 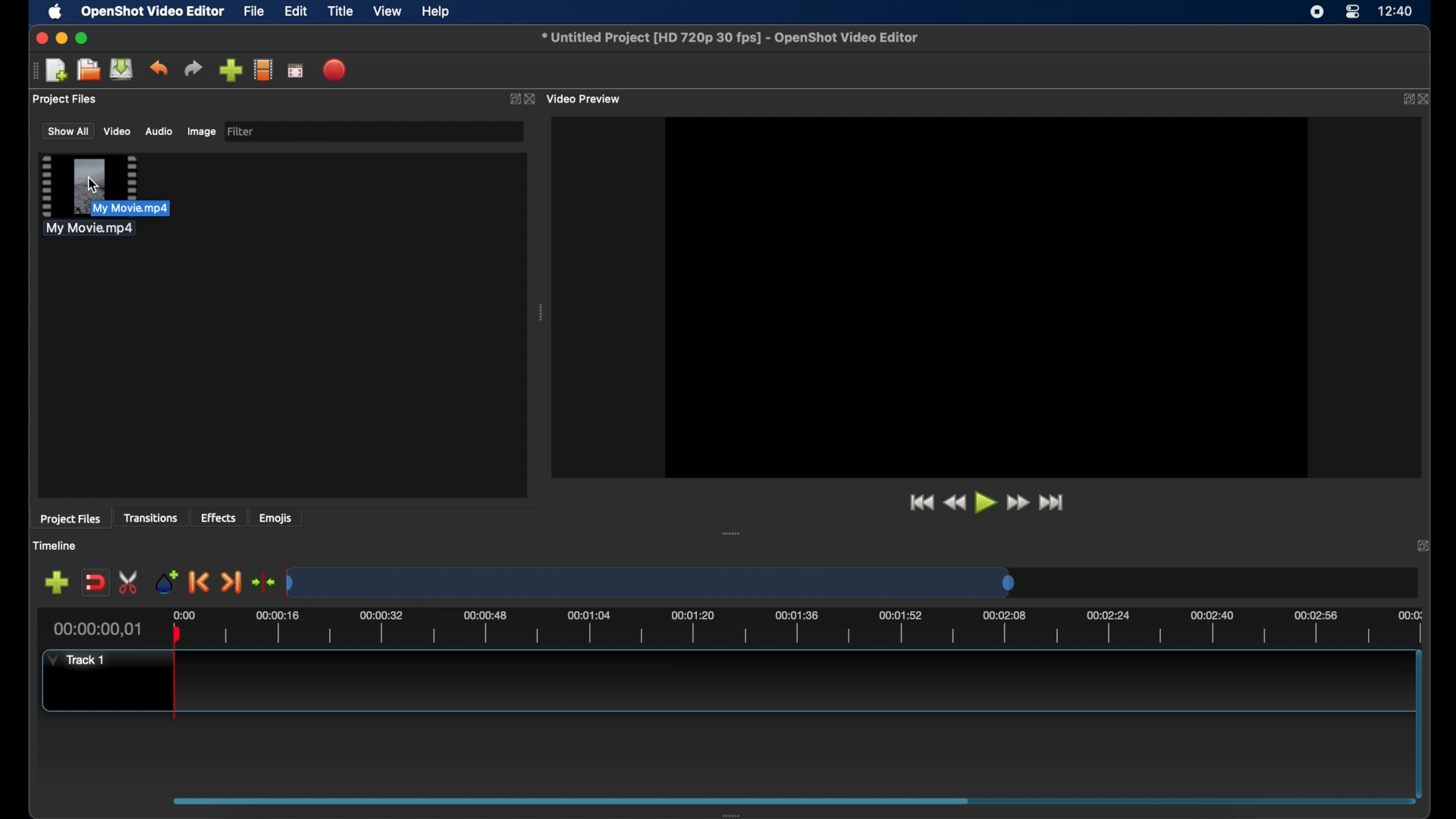 I want to click on expand, so click(x=1405, y=99).